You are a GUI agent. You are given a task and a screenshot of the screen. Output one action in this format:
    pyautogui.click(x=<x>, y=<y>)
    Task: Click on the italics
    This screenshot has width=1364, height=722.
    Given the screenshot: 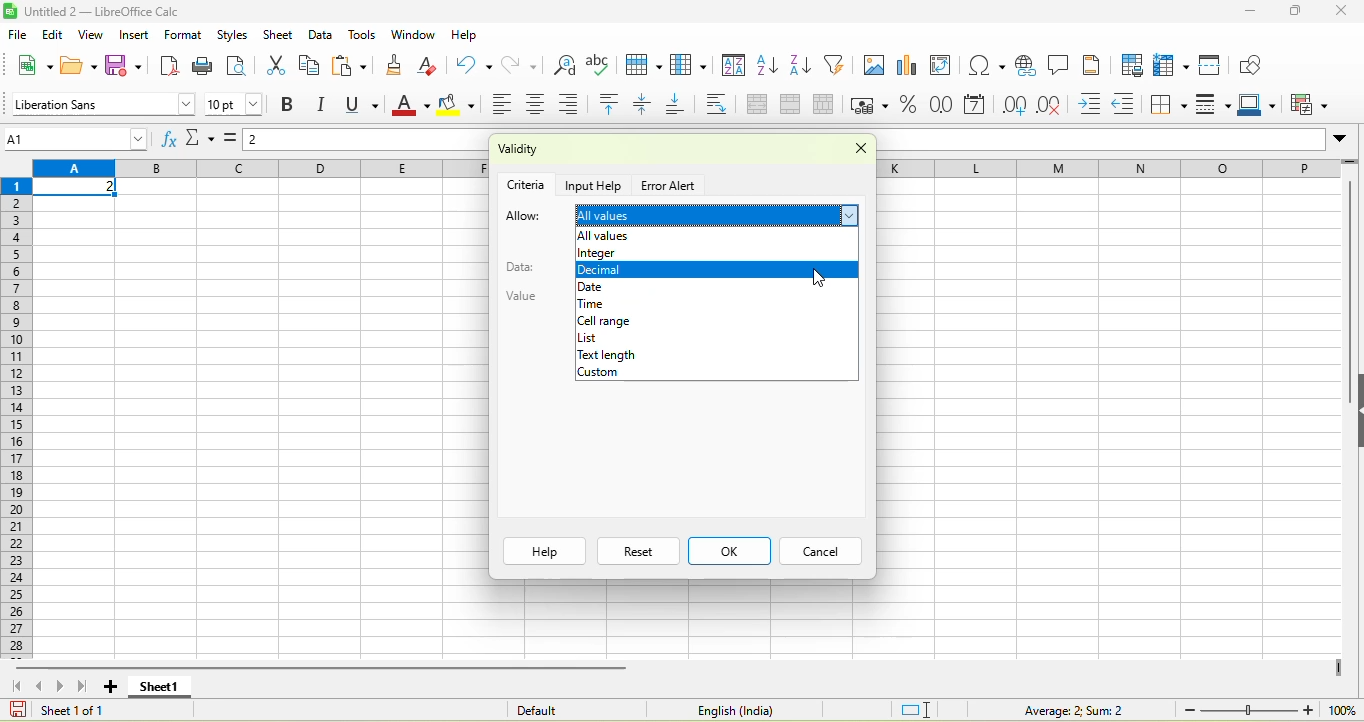 What is the action you would take?
    pyautogui.click(x=326, y=105)
    